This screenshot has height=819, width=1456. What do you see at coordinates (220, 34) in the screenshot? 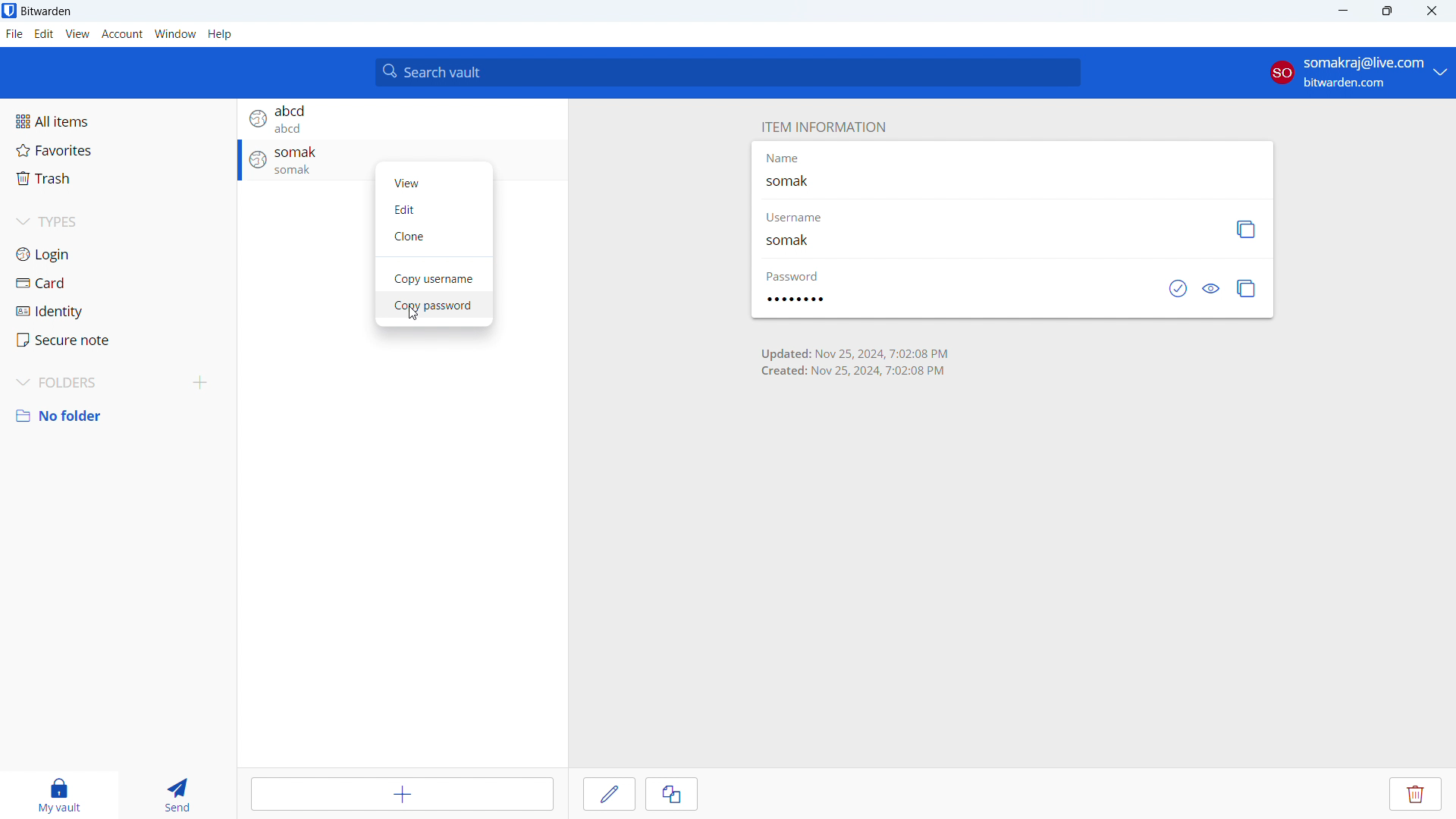
I see `h` at bounding box center [220, 34].